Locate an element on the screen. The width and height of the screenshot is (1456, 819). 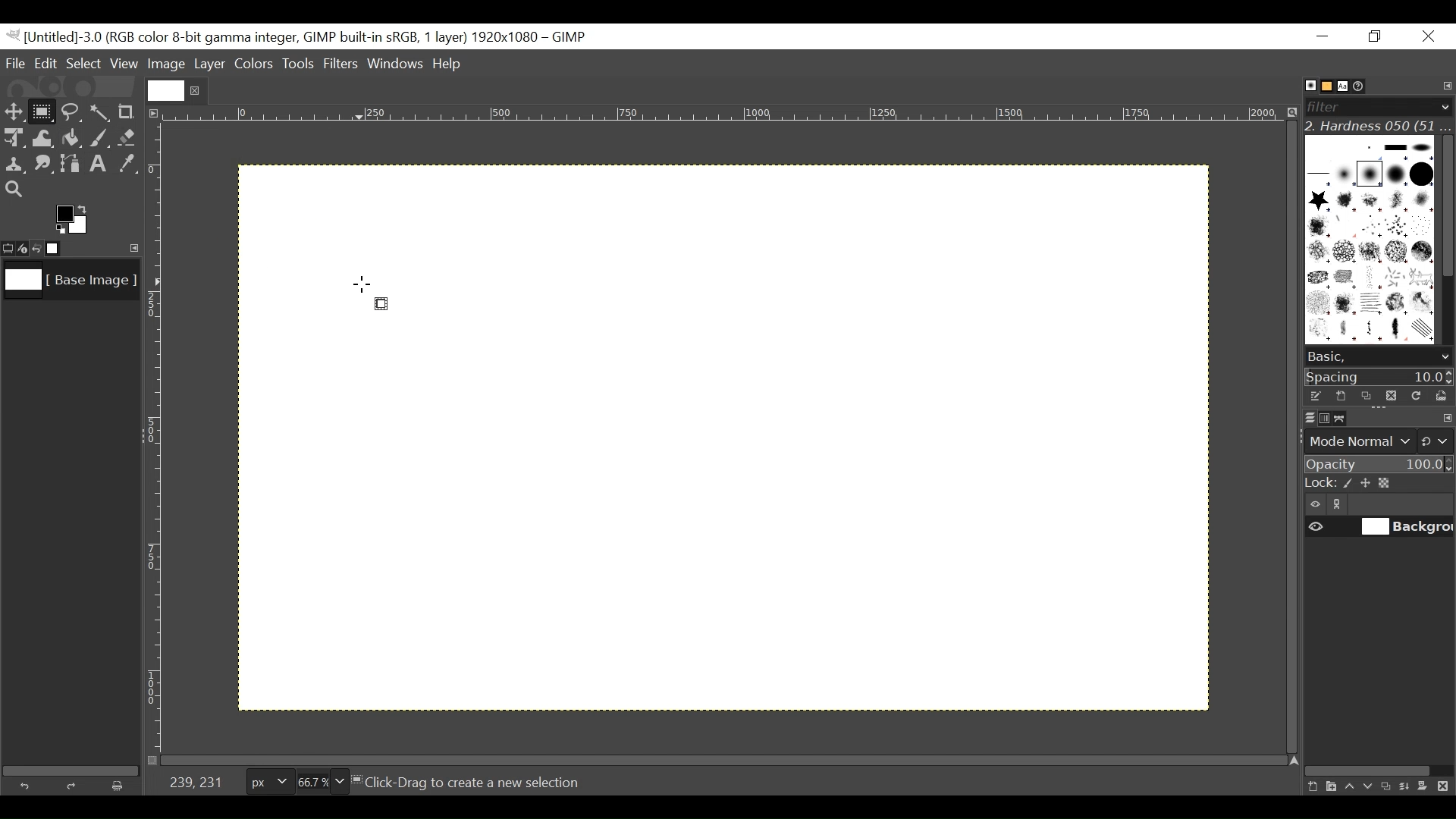
Duplicate brush is located at coordinates (1366, 396).